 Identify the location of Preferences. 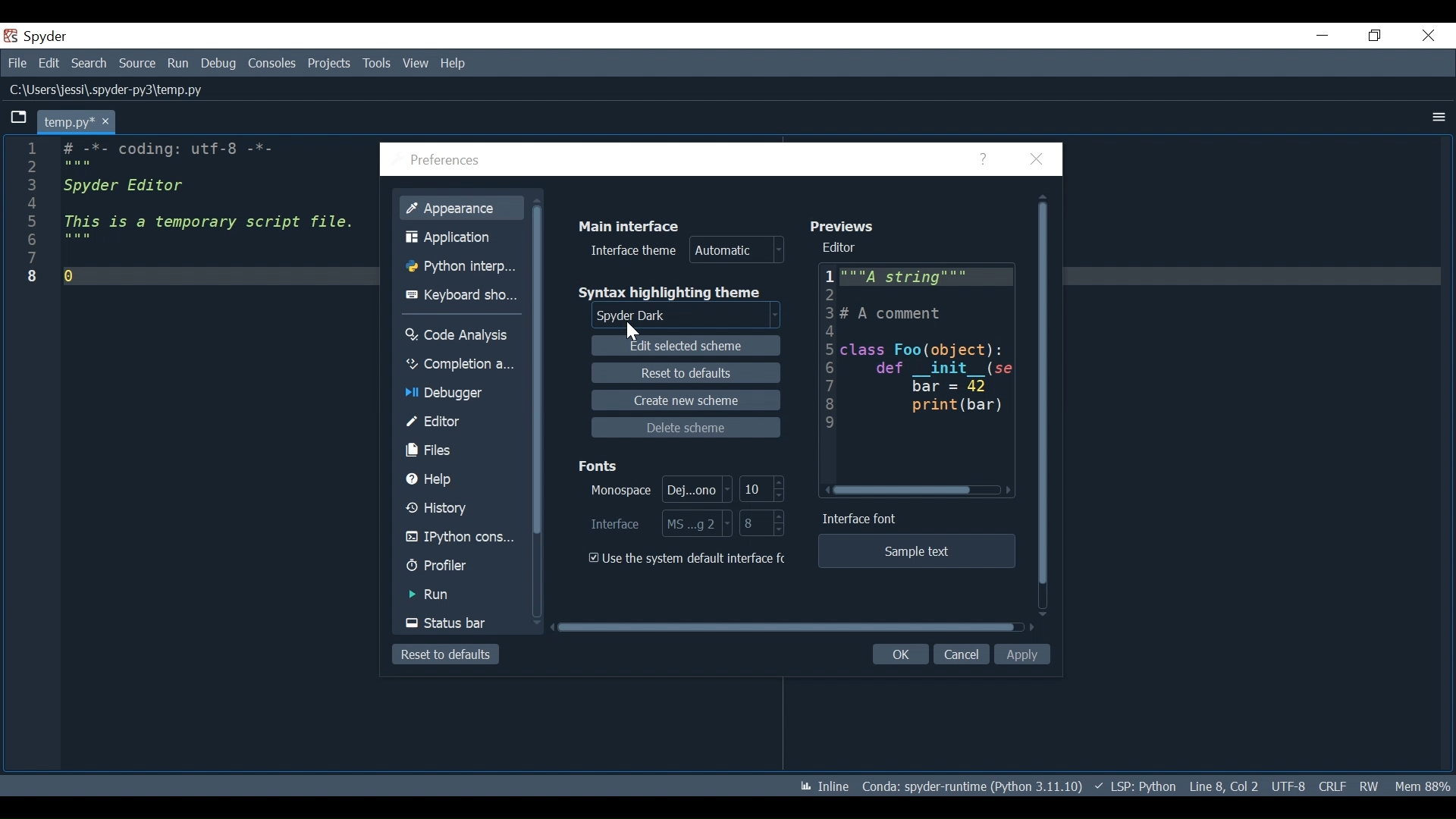
(444, 160).